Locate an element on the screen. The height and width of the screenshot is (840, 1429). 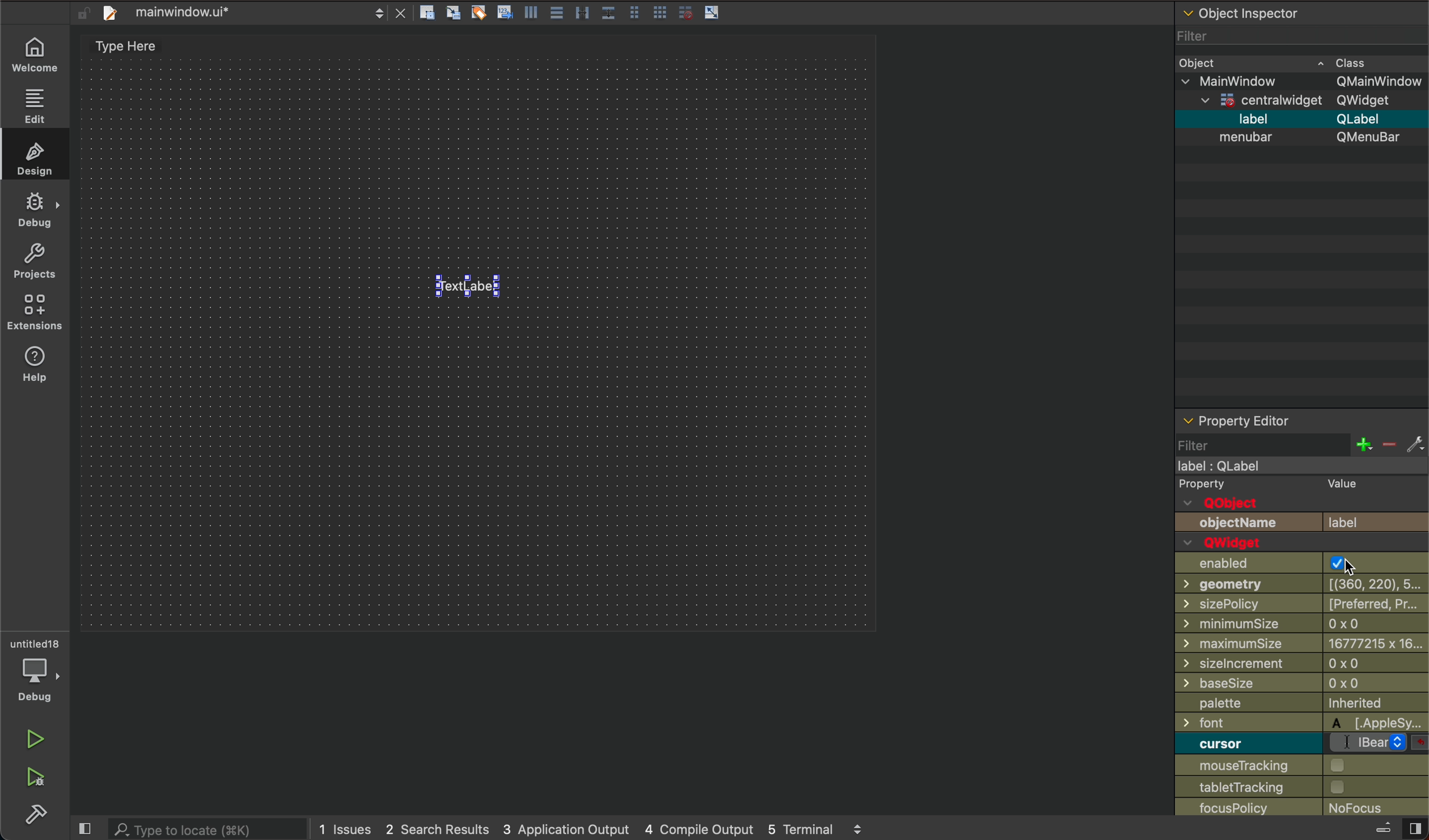
QObject is located at coordinates (1225, 502).